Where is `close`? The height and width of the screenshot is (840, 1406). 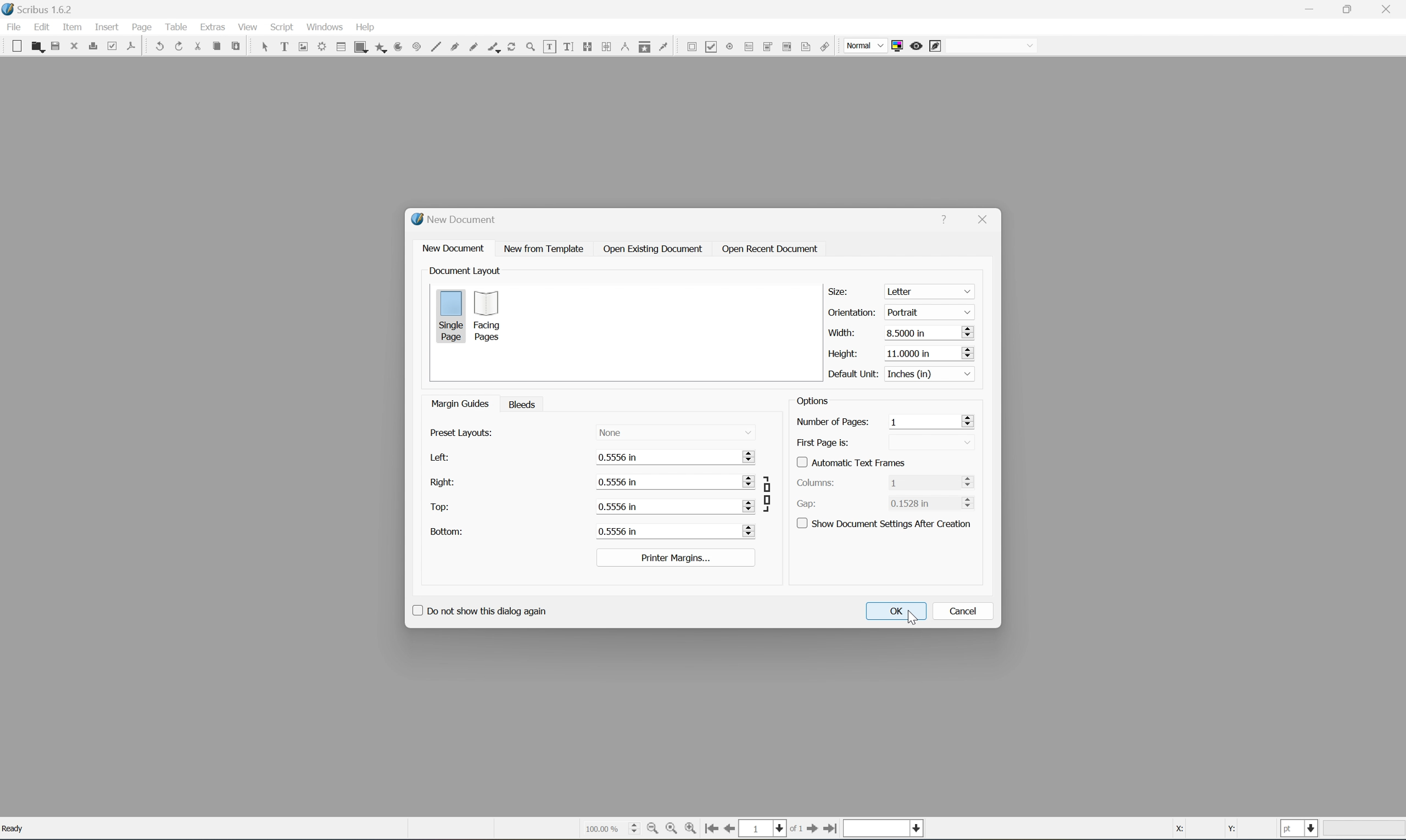
close is located at coordinates (73, 46).